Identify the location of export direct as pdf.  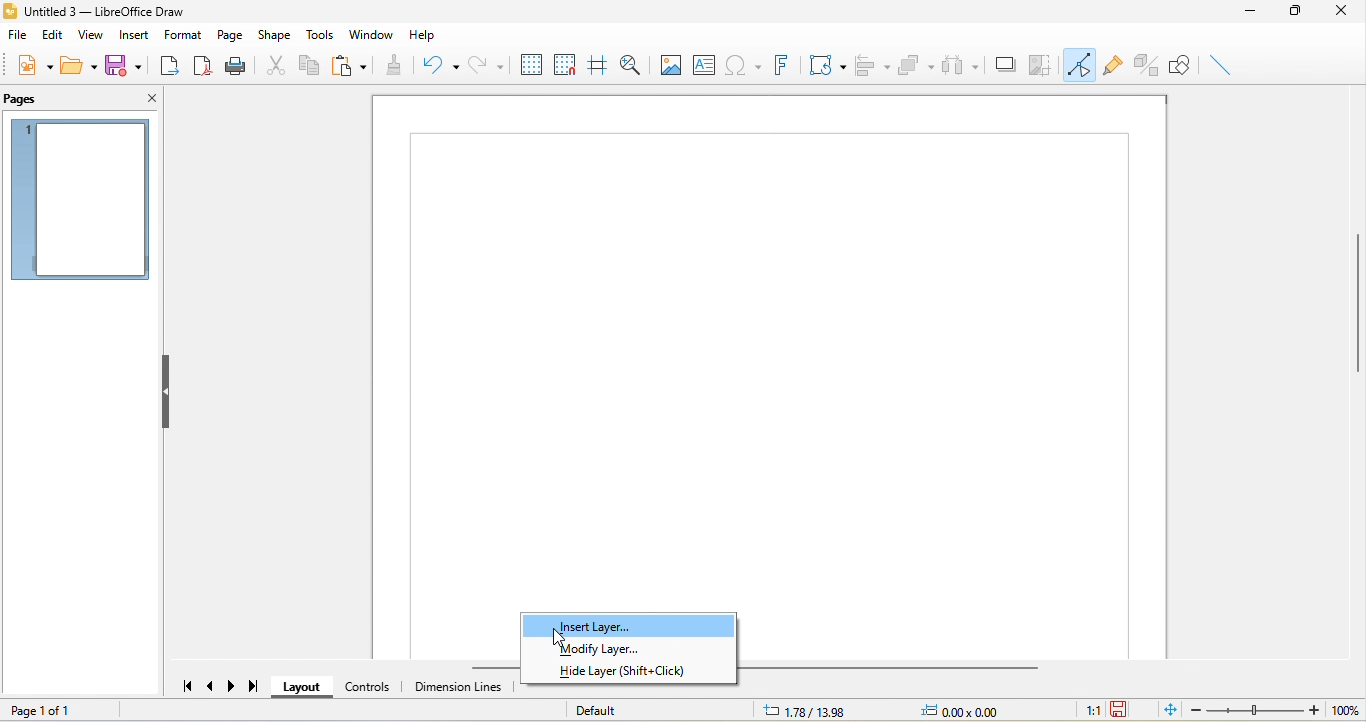
(203, 65).